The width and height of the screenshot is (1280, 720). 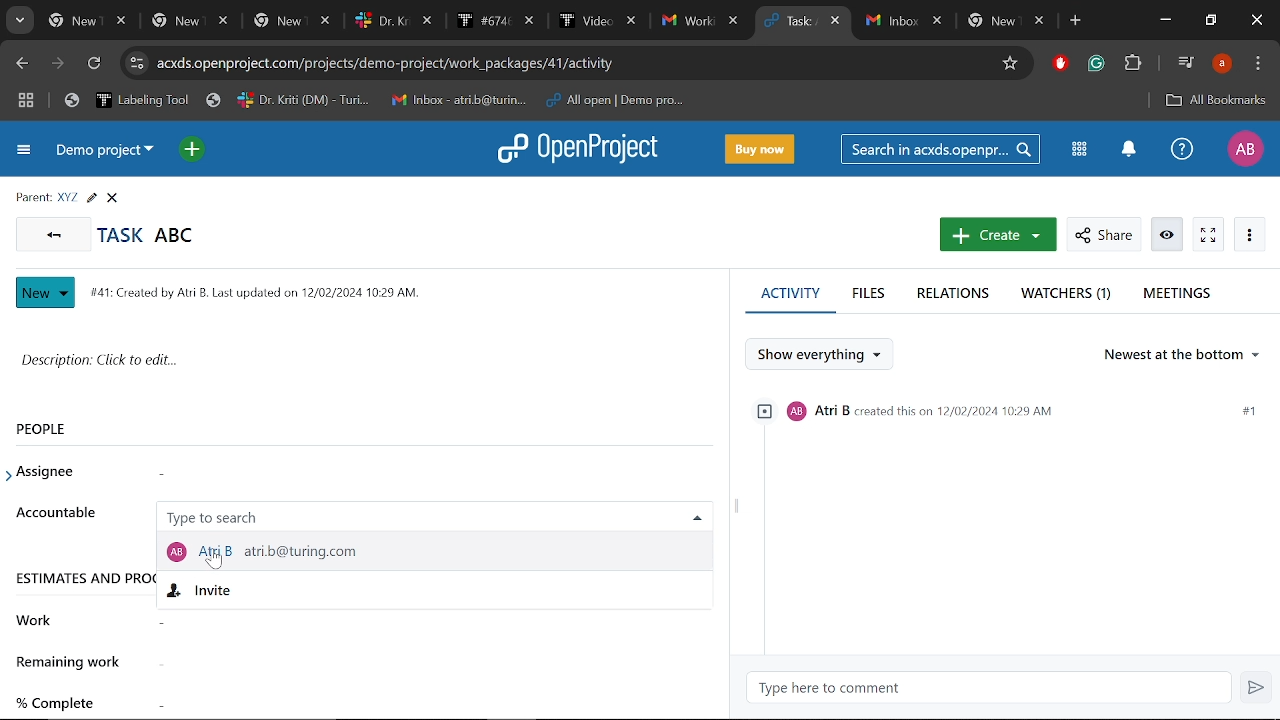 I want to click on Files, so click(x=869, y=293).